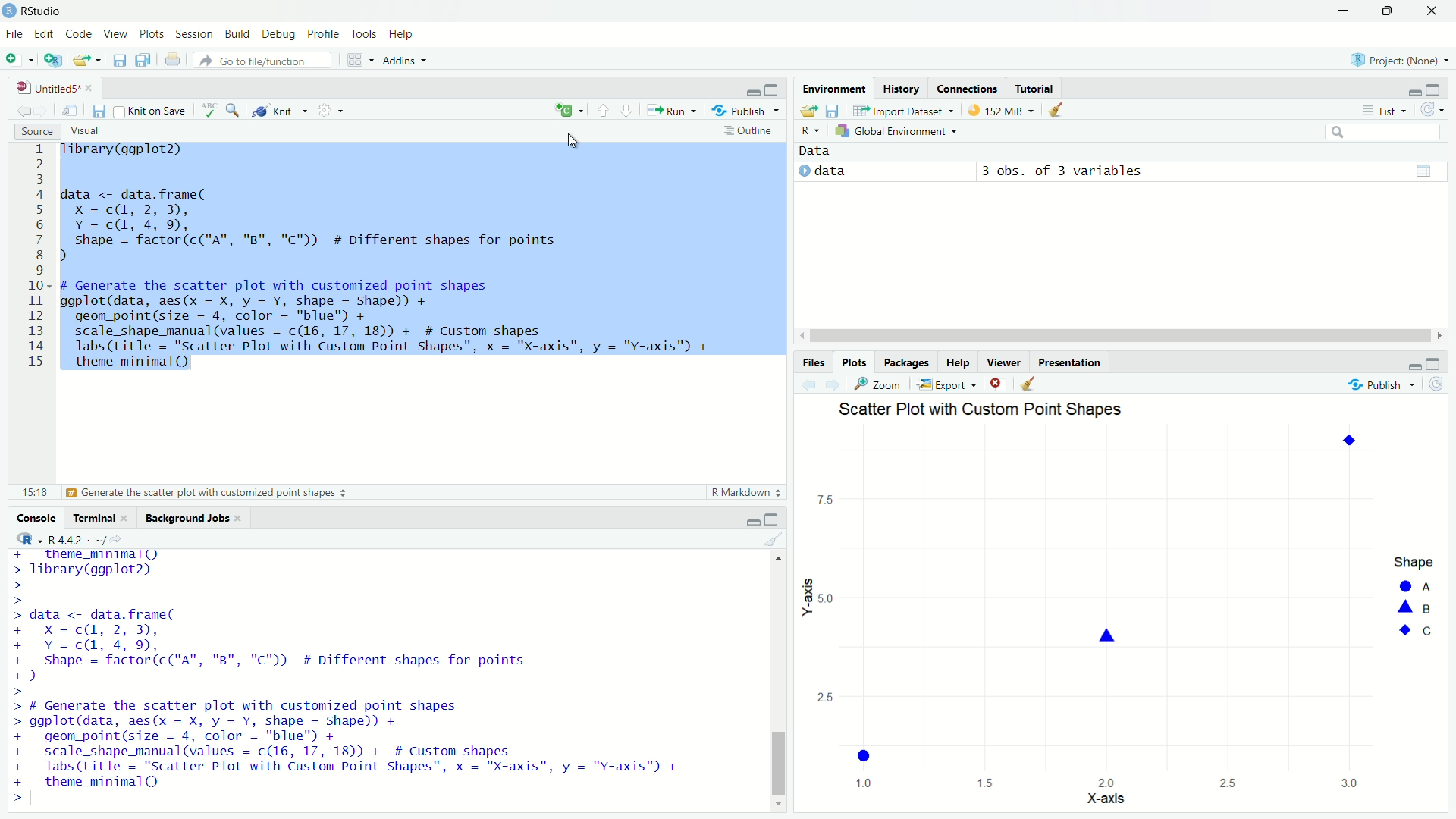 The image size is (1456, 819). Describe the element at coordinates (946, 384) in the screenshot. I see `Export` at that location.